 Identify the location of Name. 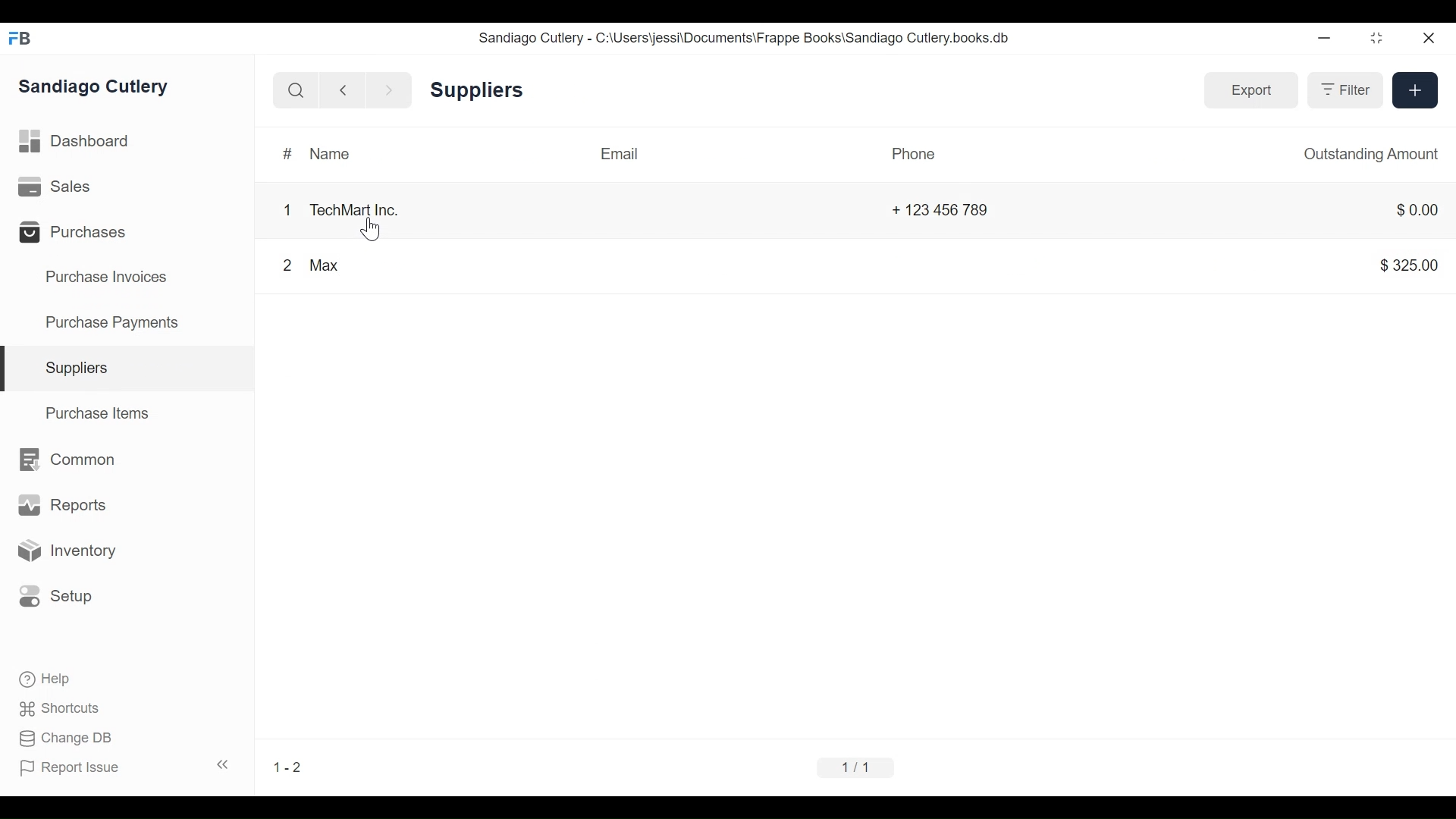
(329, 152).